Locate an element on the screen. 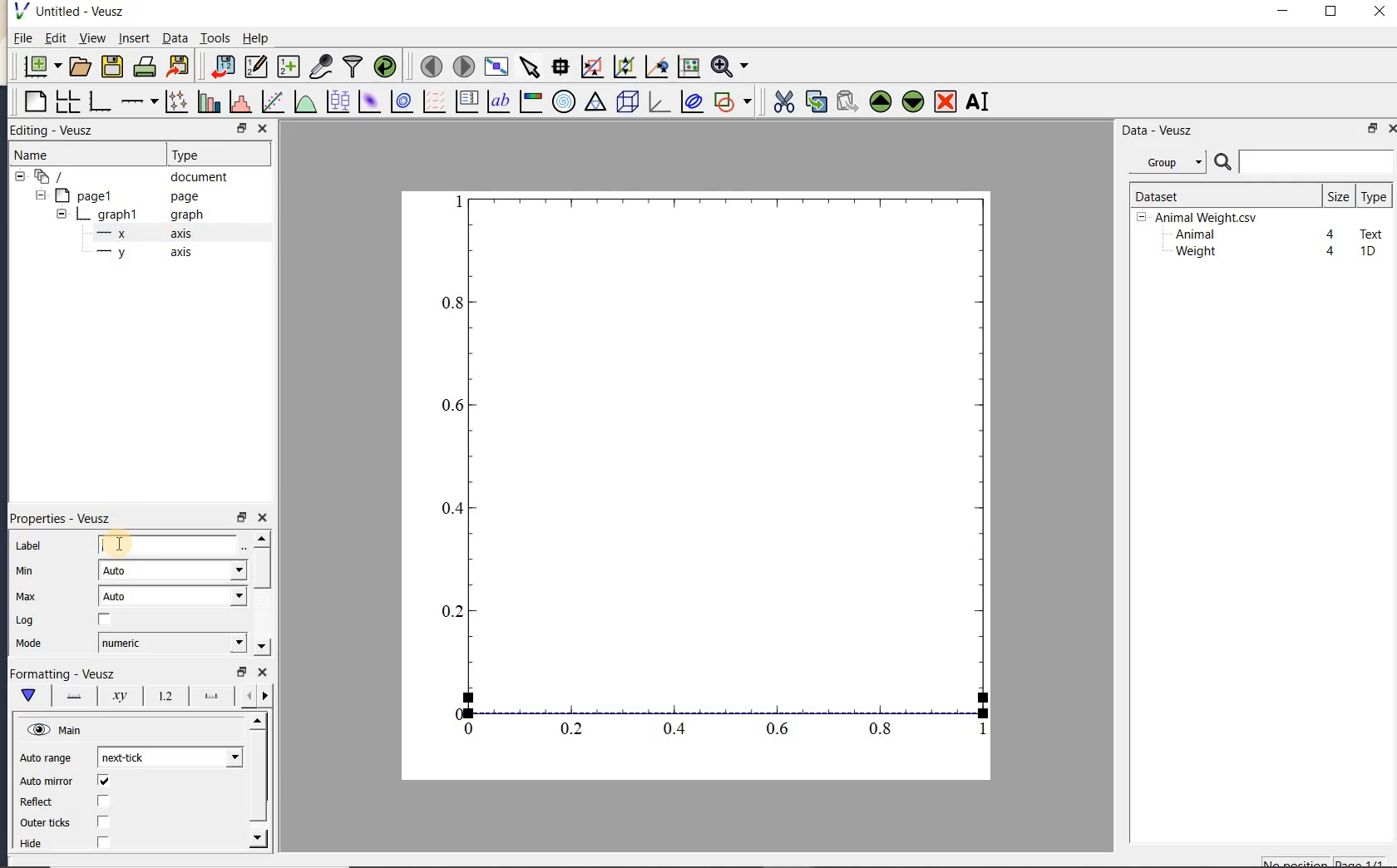 The width and height of the screenshot is (1397, 868). filter data is located at coordinates (353, 65).